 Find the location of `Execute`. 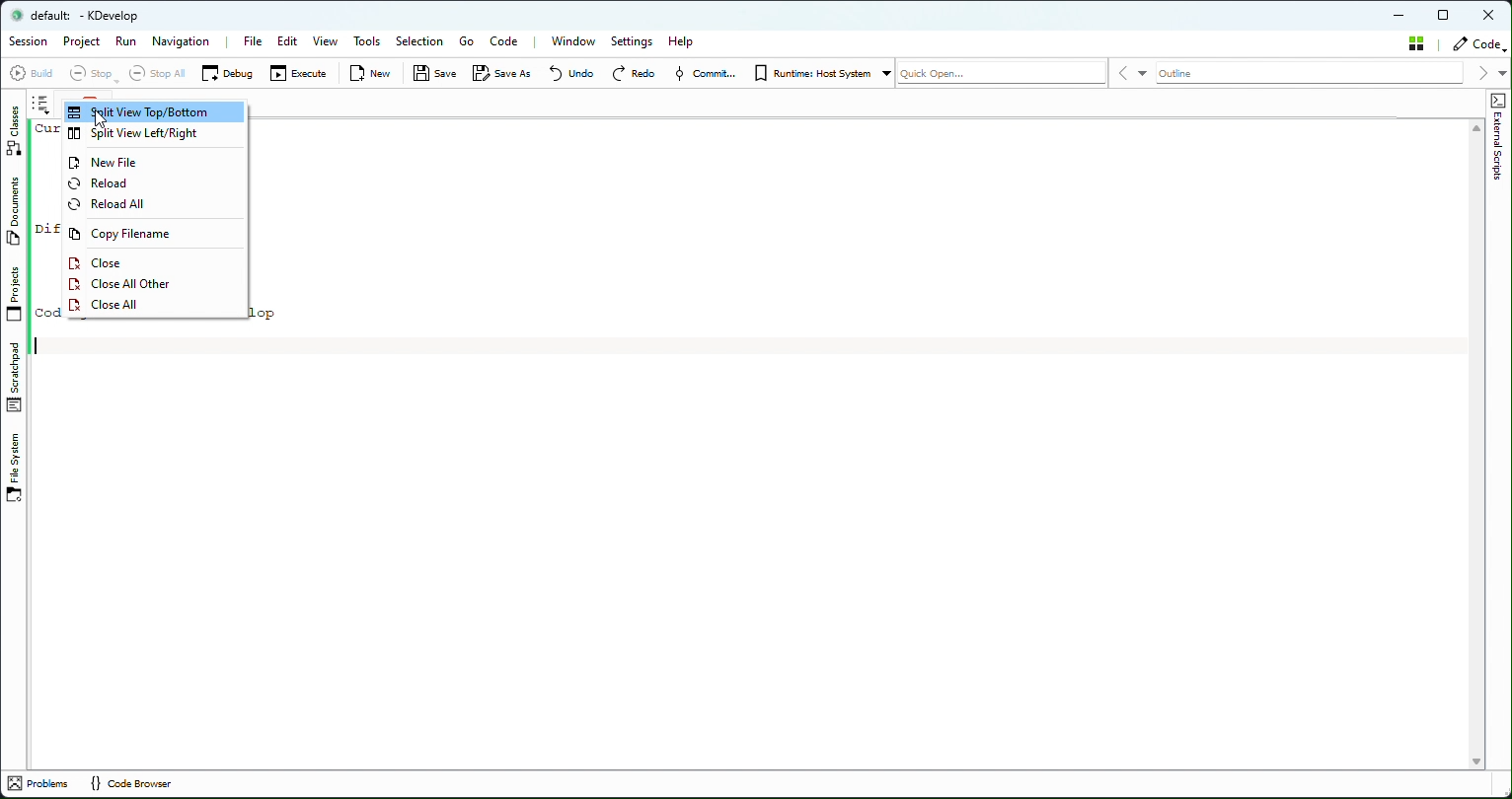

Execute is located at coordinates (300, 73).